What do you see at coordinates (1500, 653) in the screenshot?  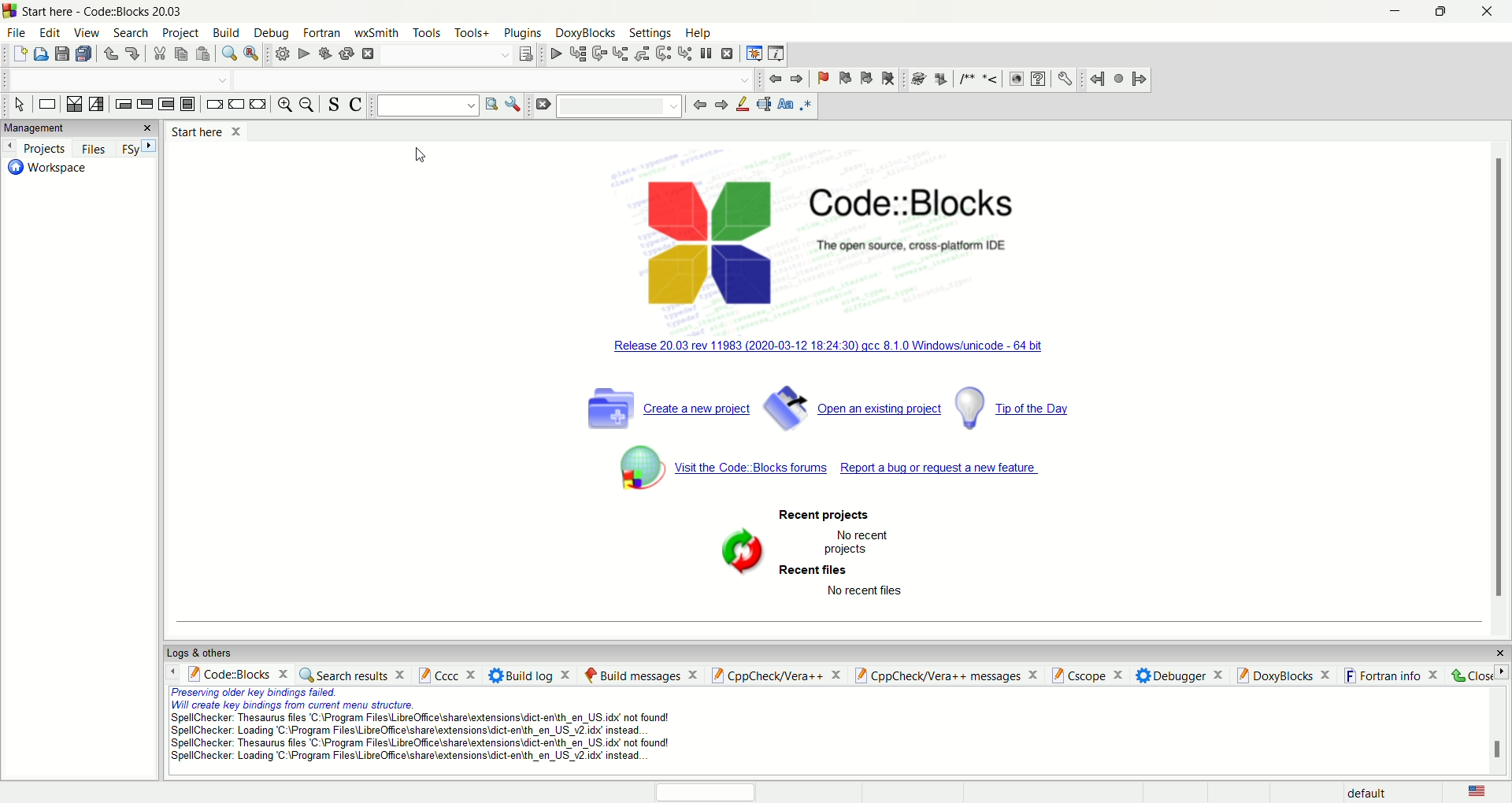 I see `close` at bounding box center [1500, 653].